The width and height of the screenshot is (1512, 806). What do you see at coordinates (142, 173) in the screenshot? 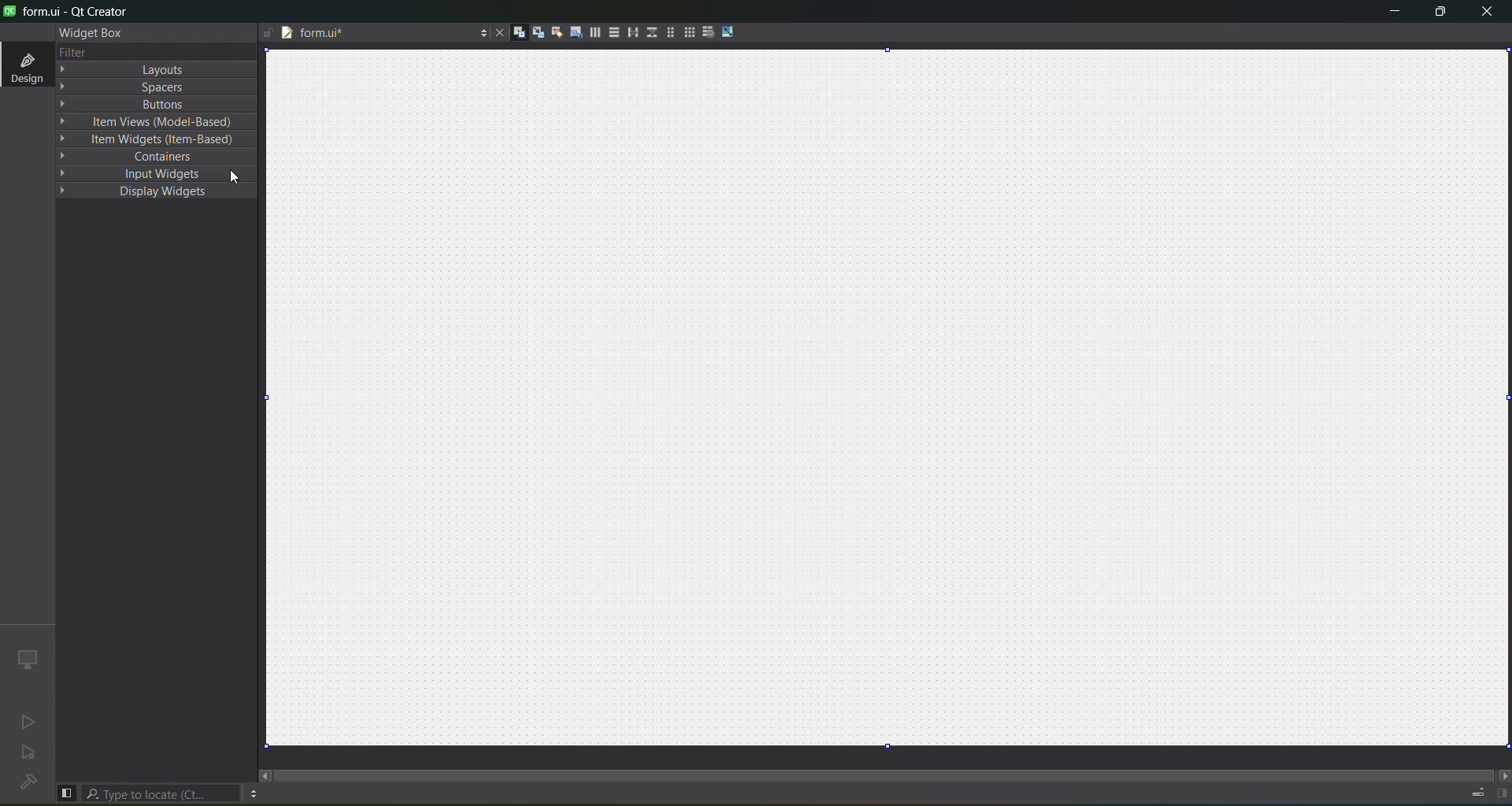
I see `input widgets` at bounding box center [142, 173].